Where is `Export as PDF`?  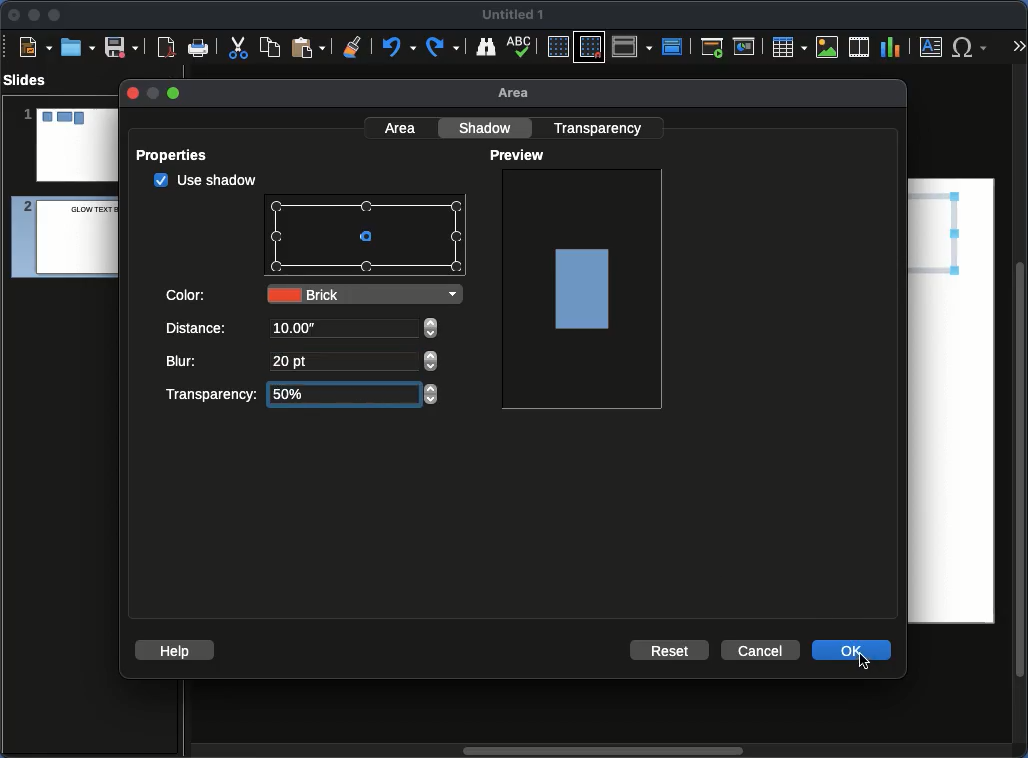
Export as PDF is located at coordinates (166, 48).